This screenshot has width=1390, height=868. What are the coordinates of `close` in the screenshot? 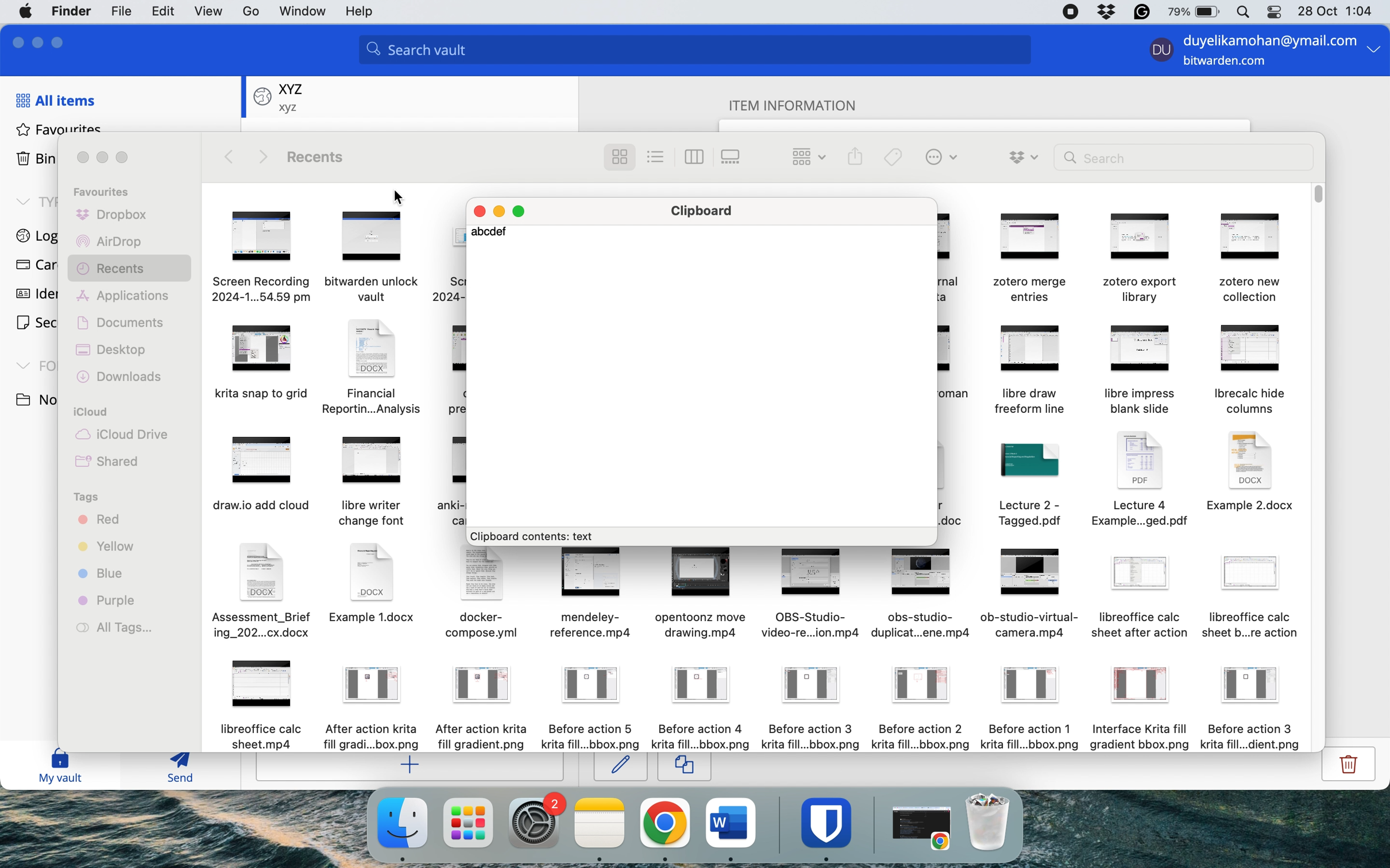 It's located at (83, 157).